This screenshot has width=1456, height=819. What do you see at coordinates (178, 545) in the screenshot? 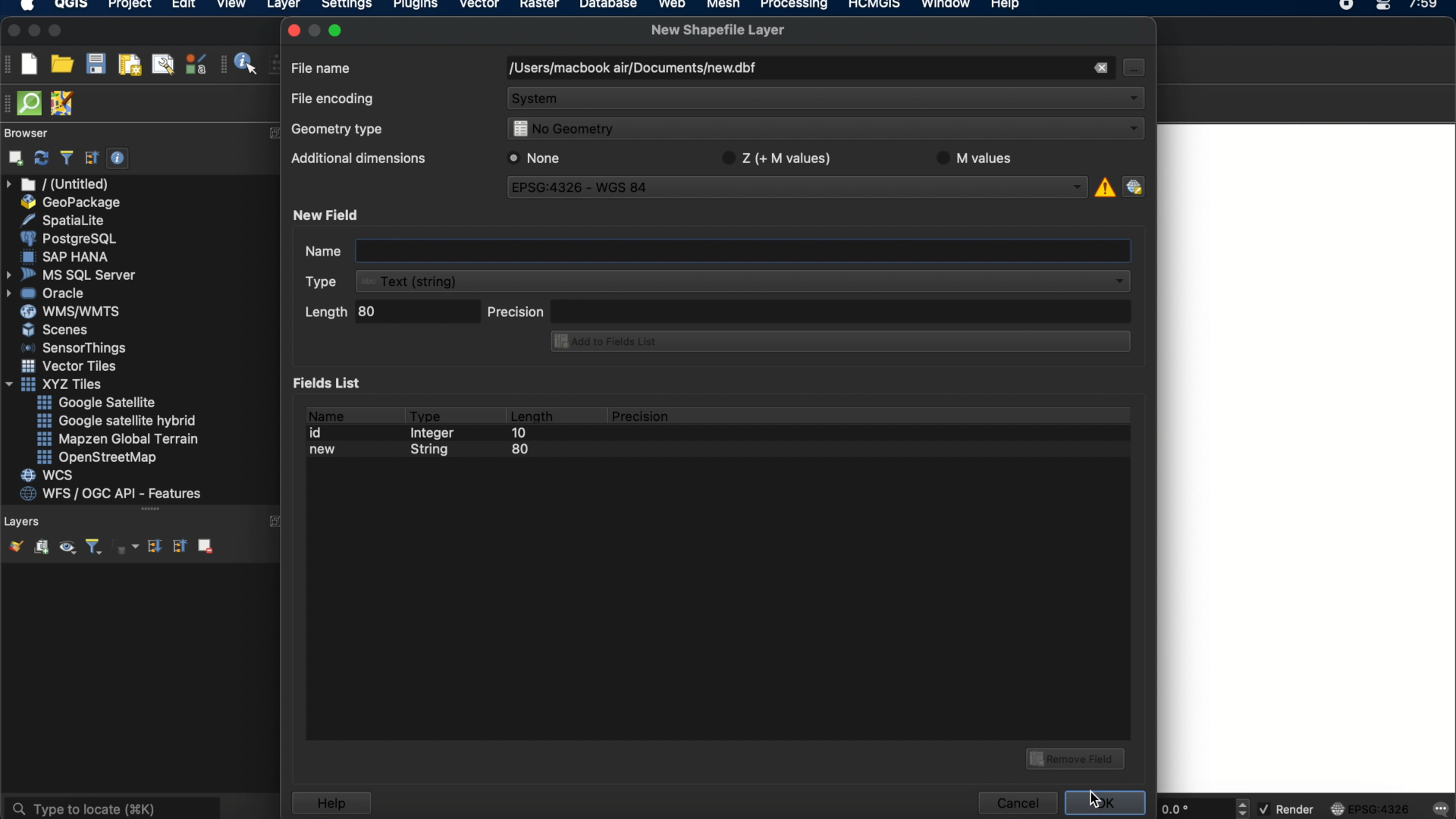
I see `collapse all` at bounding box center [178, 545].